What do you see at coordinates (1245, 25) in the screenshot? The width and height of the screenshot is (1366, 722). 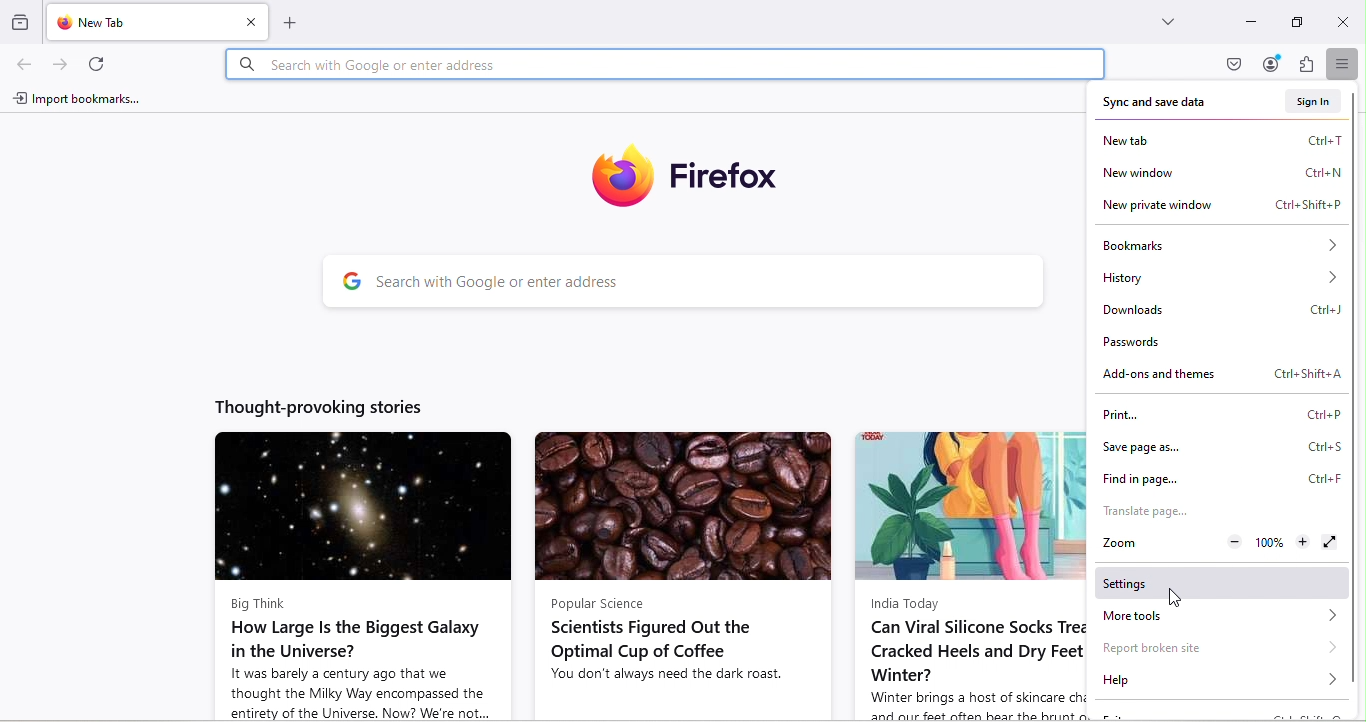 I see `Input ` at bounding box center [1245, 25].